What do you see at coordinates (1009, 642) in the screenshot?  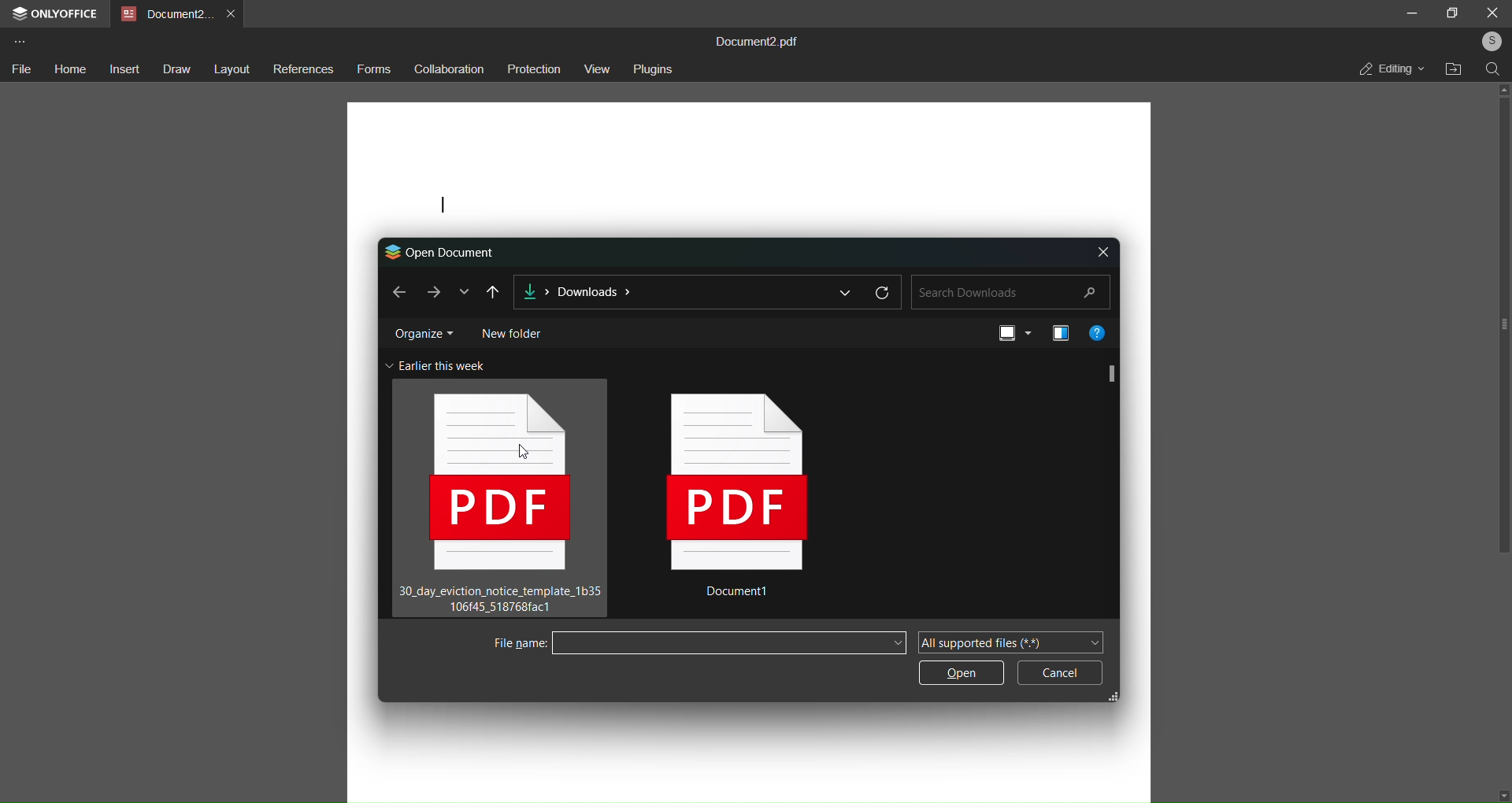 I see `file type` at bounding box center [1009, 642].